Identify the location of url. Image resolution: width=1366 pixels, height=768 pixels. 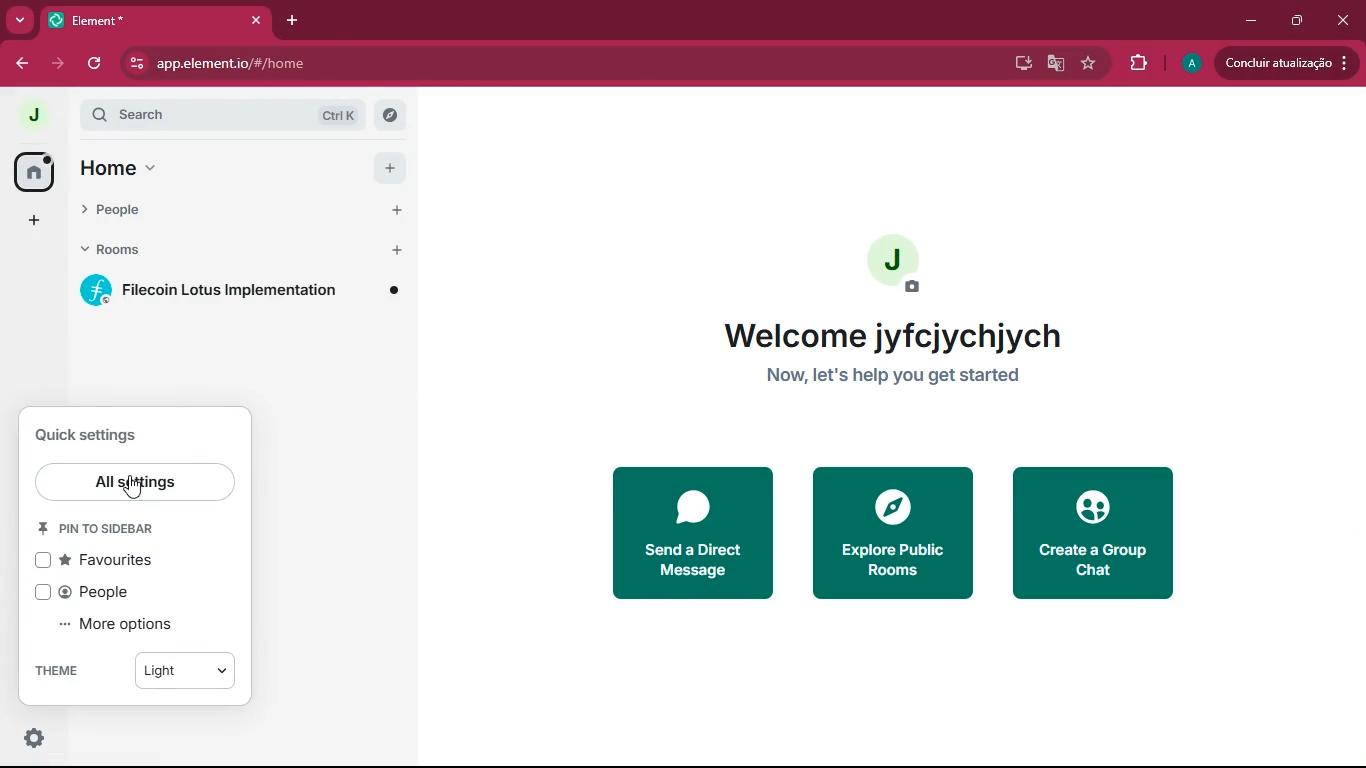
(353, 64).